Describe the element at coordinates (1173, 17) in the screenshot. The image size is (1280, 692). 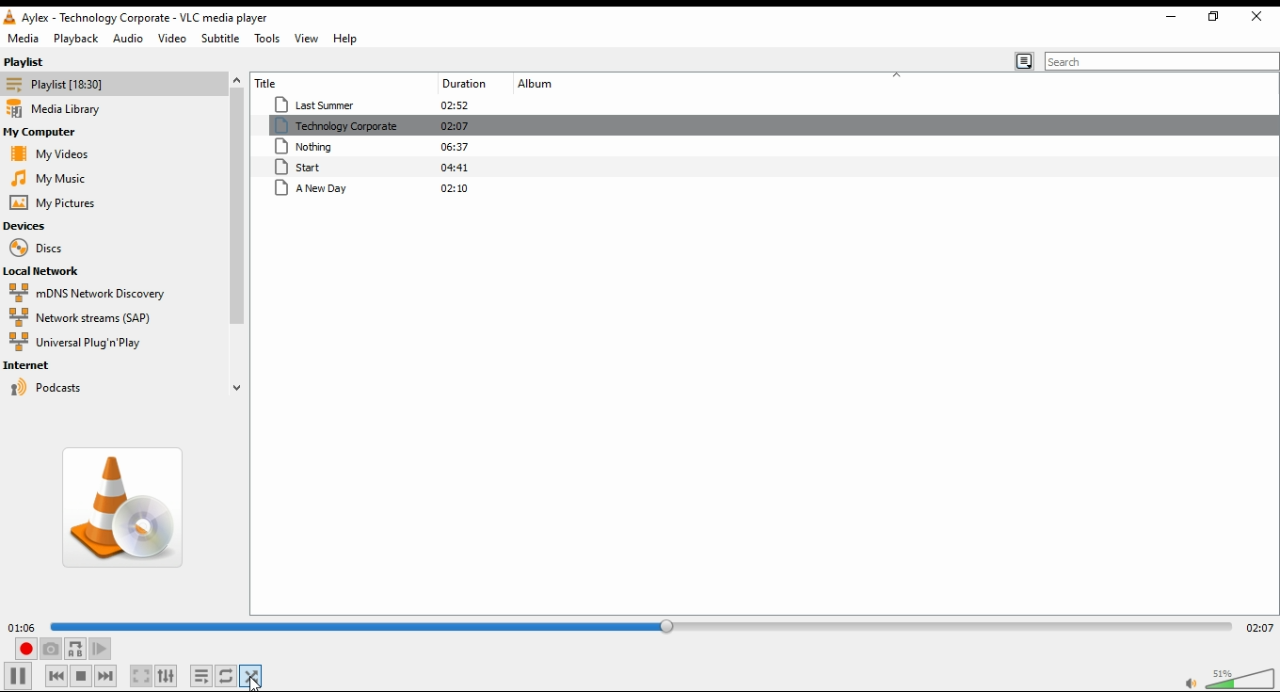
I see `restore` at that location.